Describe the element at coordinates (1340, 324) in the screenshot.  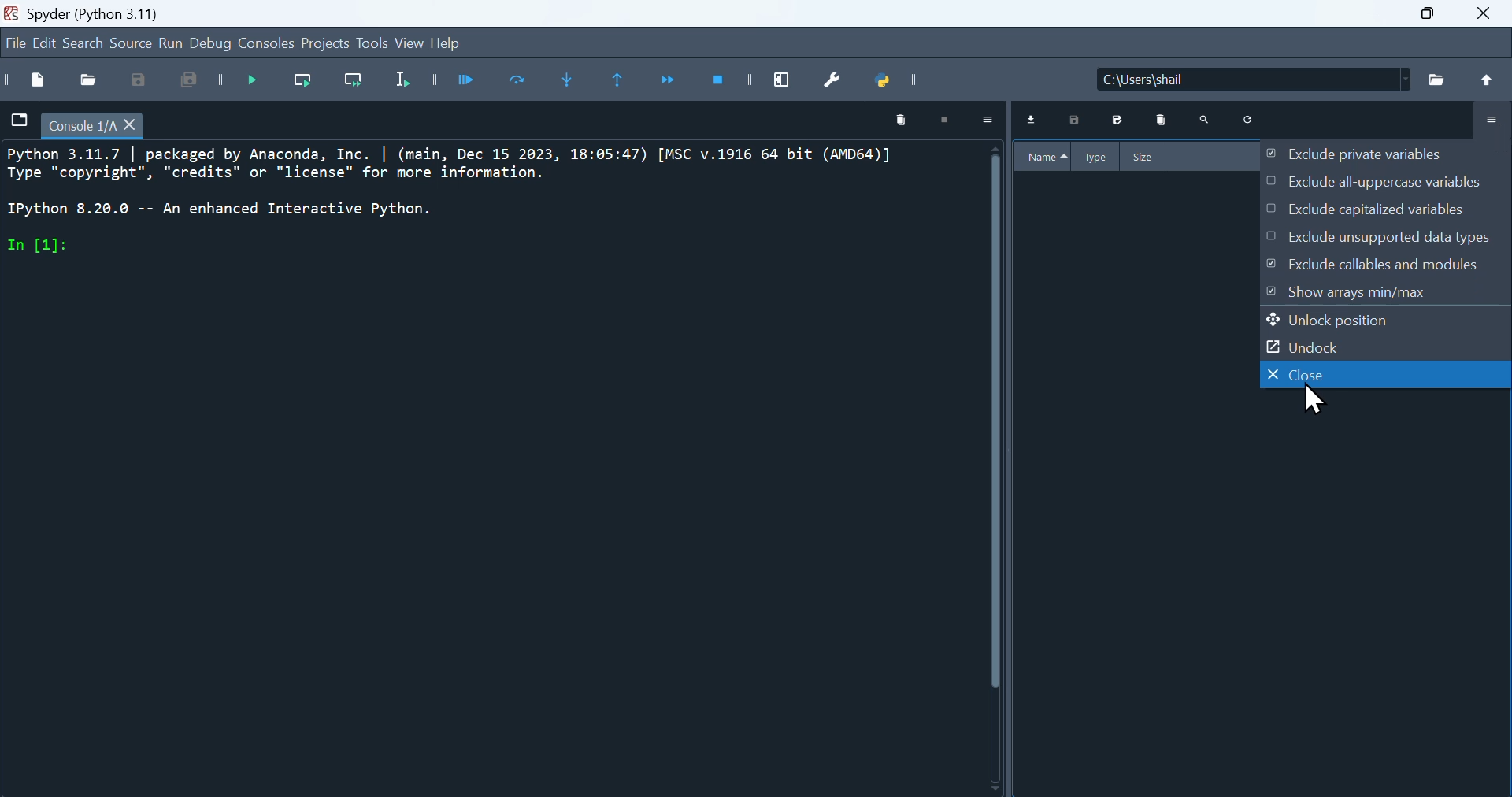
I see `Unlock position` at that location.